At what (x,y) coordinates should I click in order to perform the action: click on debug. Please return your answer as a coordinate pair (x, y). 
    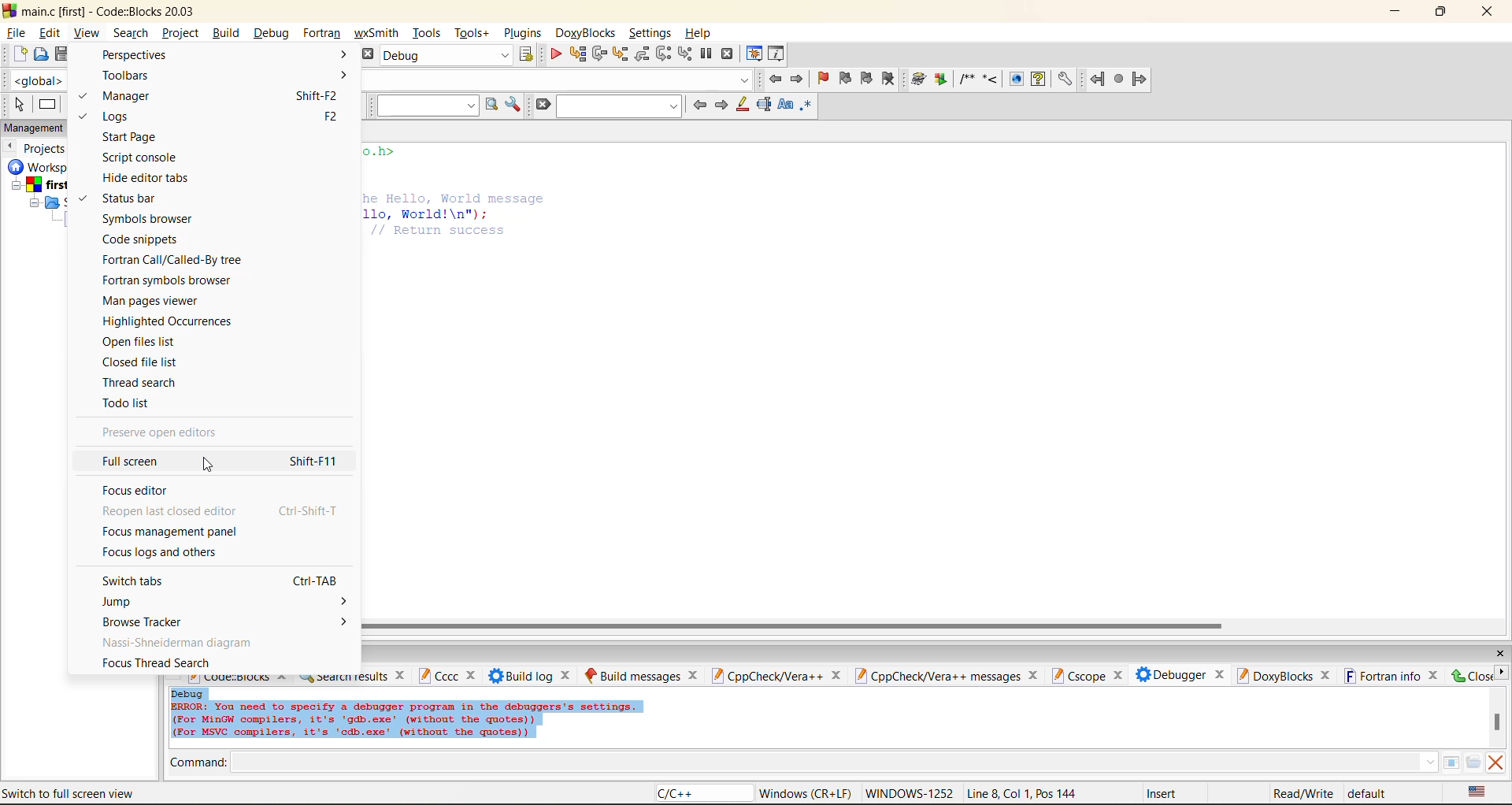
    Looking at the image, I should click on (270, 31).